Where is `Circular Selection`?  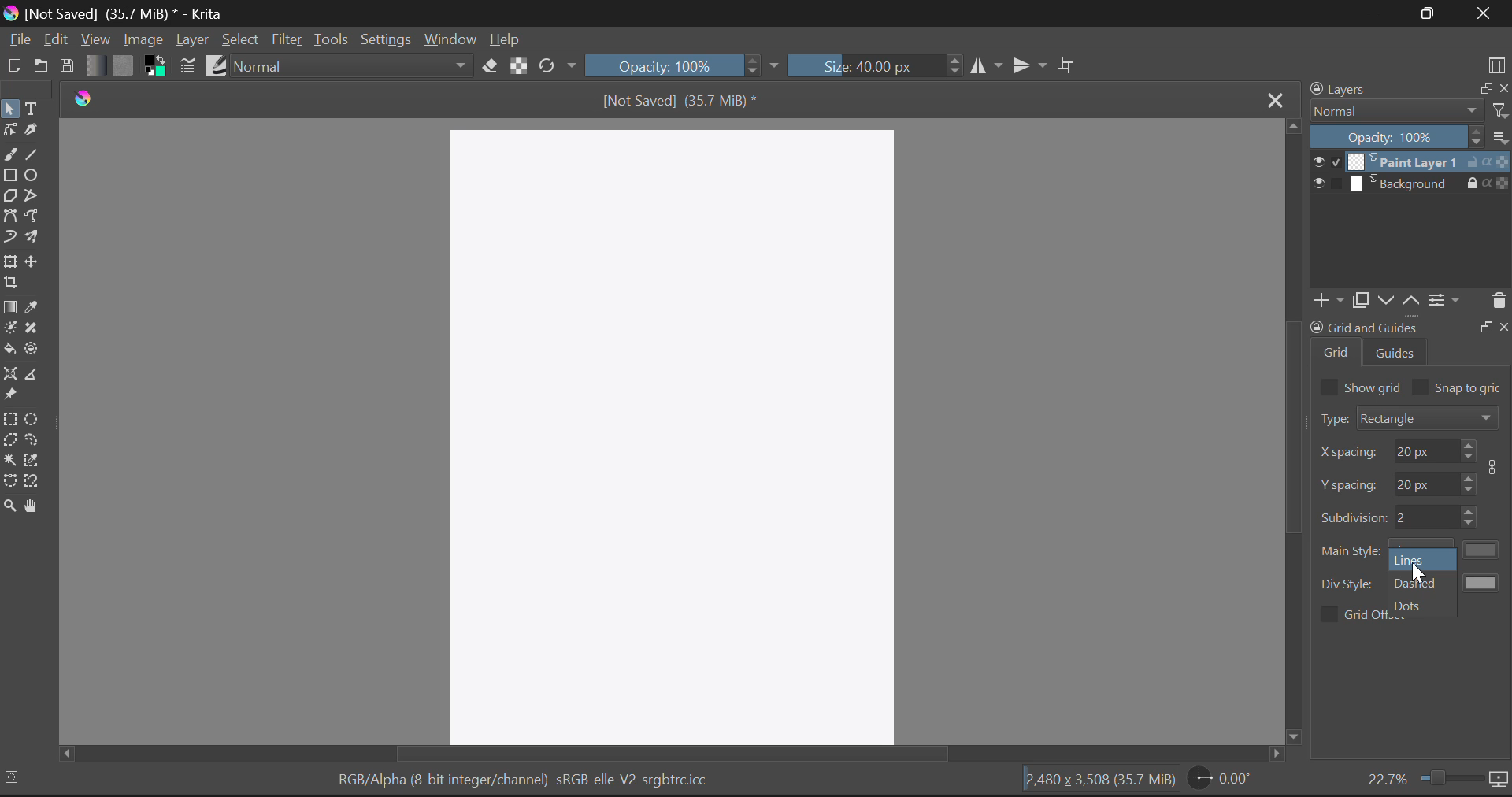
Circular Selection is located at coordinates (34, 420).